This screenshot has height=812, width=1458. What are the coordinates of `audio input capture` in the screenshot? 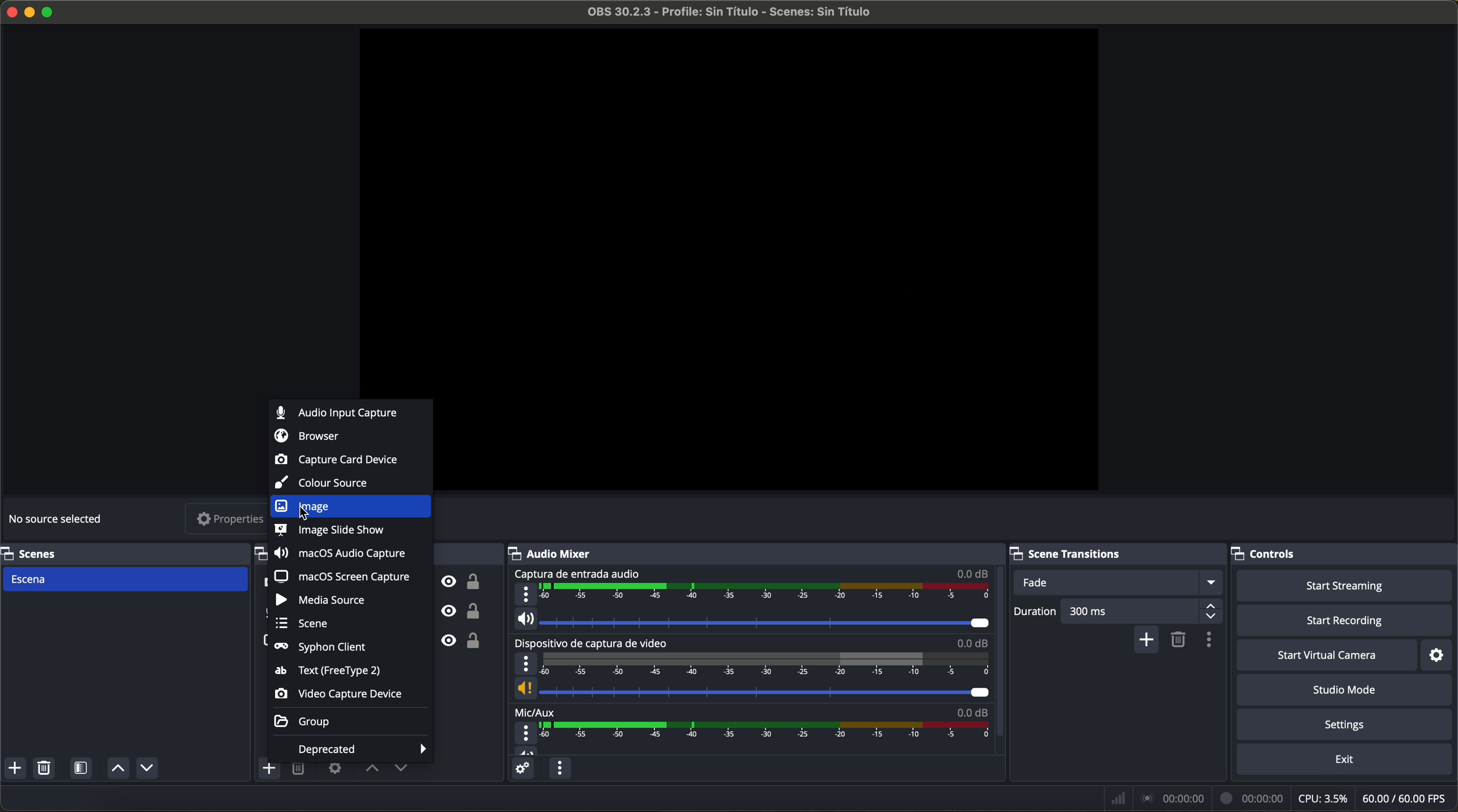 It's located at (336, 413).